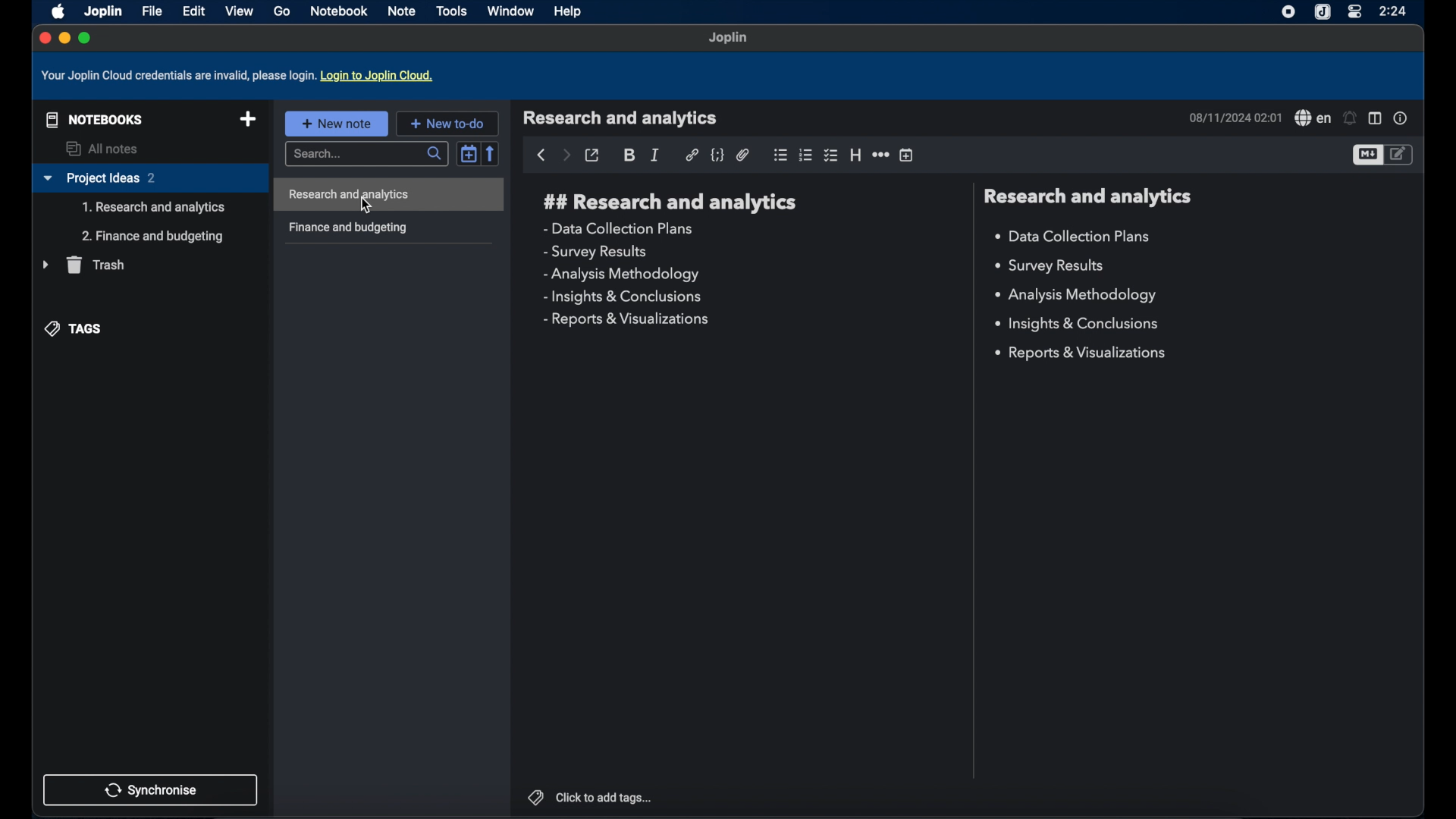 Image resolution: width=1456 pixels, height=819 pixels. What do you see at coordinates (102, 11) in the screenshot?
I see `Joplin` at bounding box center [102, 11].